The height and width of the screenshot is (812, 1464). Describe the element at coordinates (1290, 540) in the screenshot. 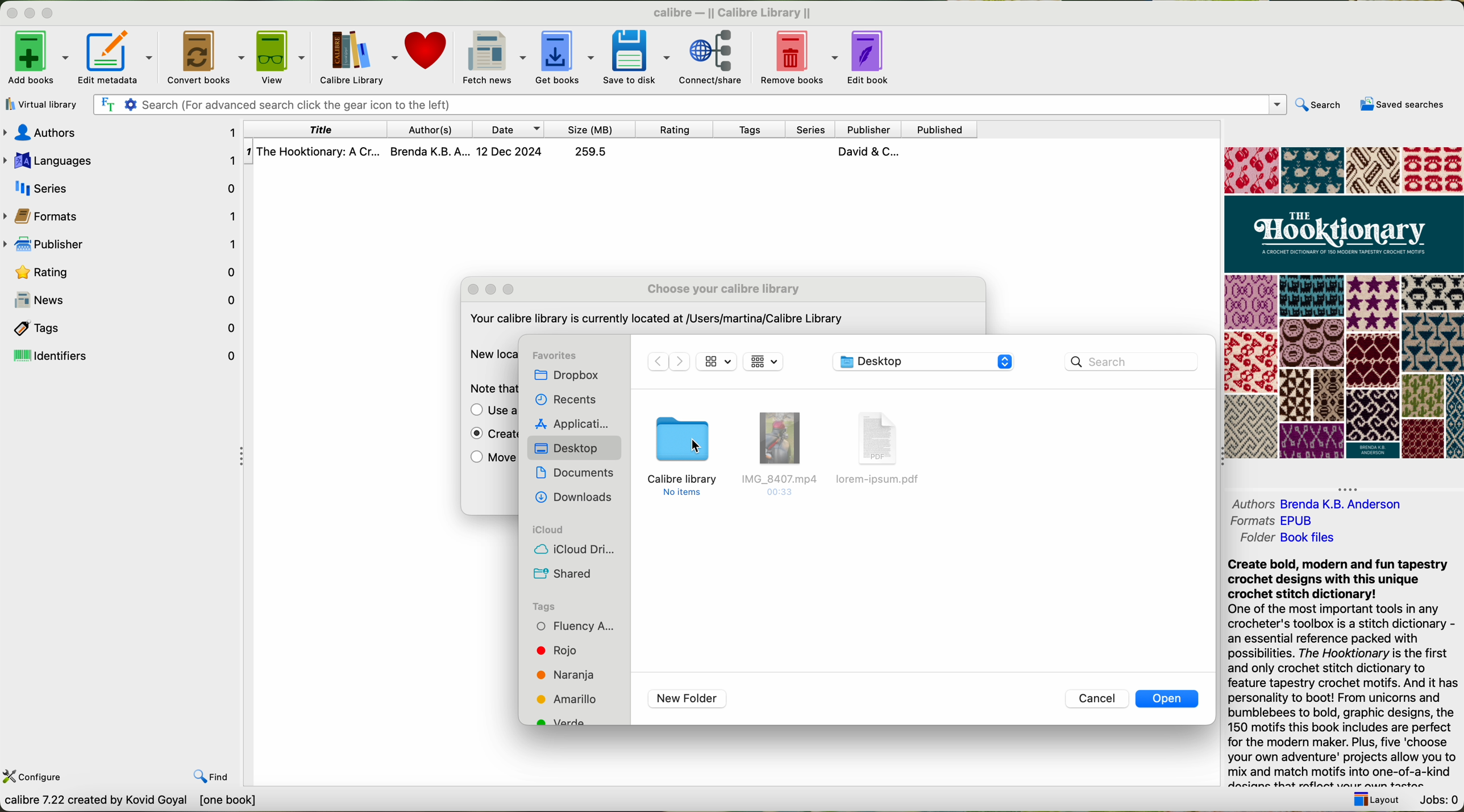

I see `folder Book files` at that location.